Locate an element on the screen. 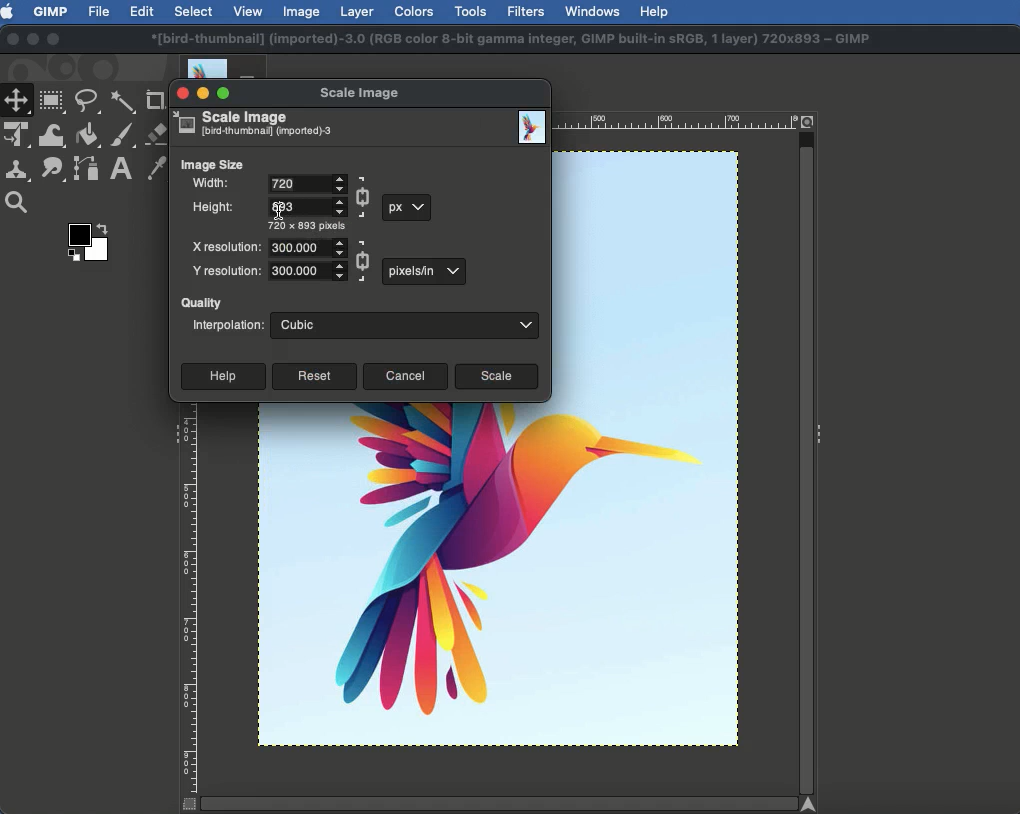 The height and width of the screenshot is (814, 1020). Cubic is located at coordinates (406, 324).